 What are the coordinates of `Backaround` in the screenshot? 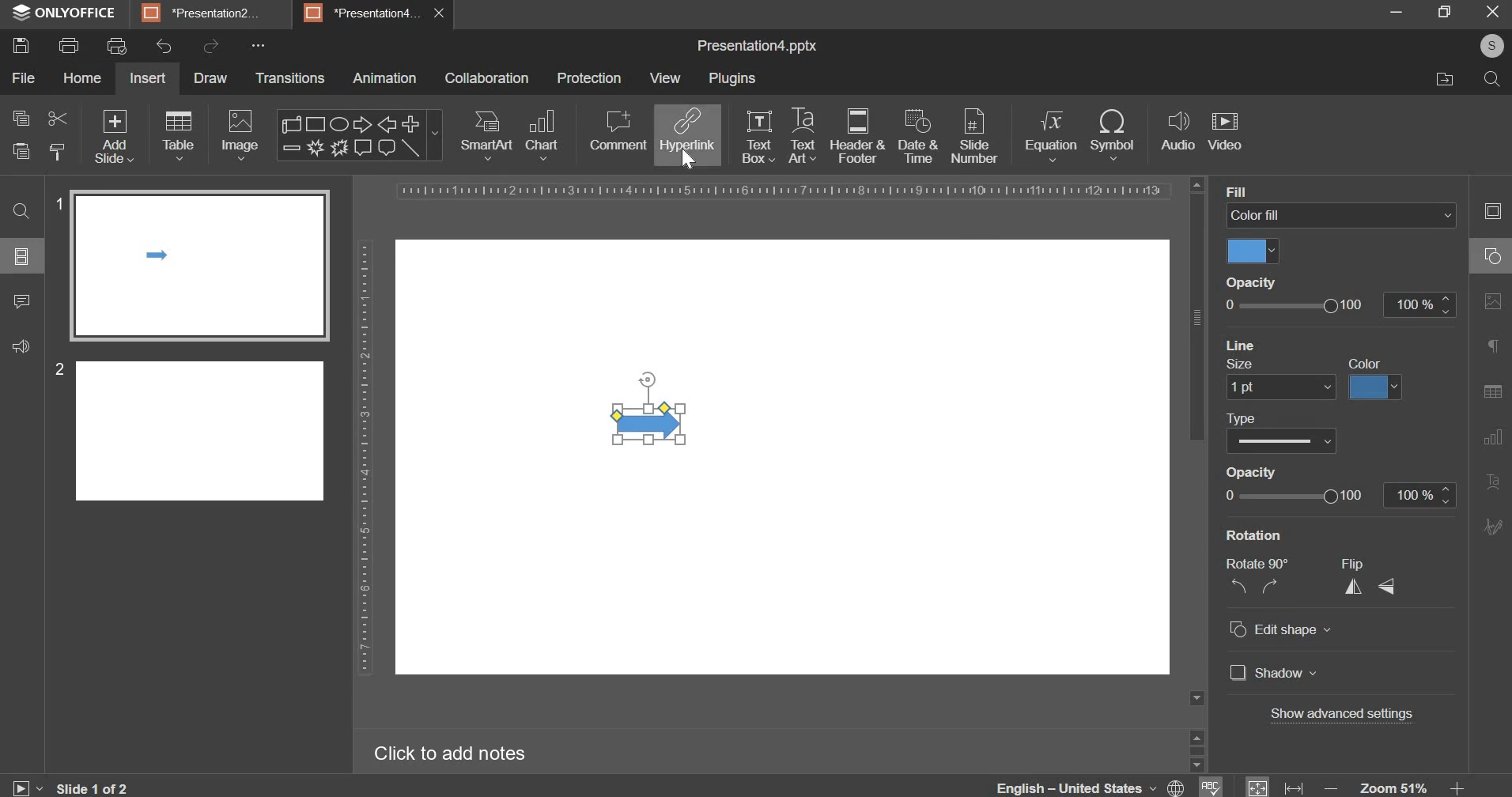 It's located at (1268, 191).